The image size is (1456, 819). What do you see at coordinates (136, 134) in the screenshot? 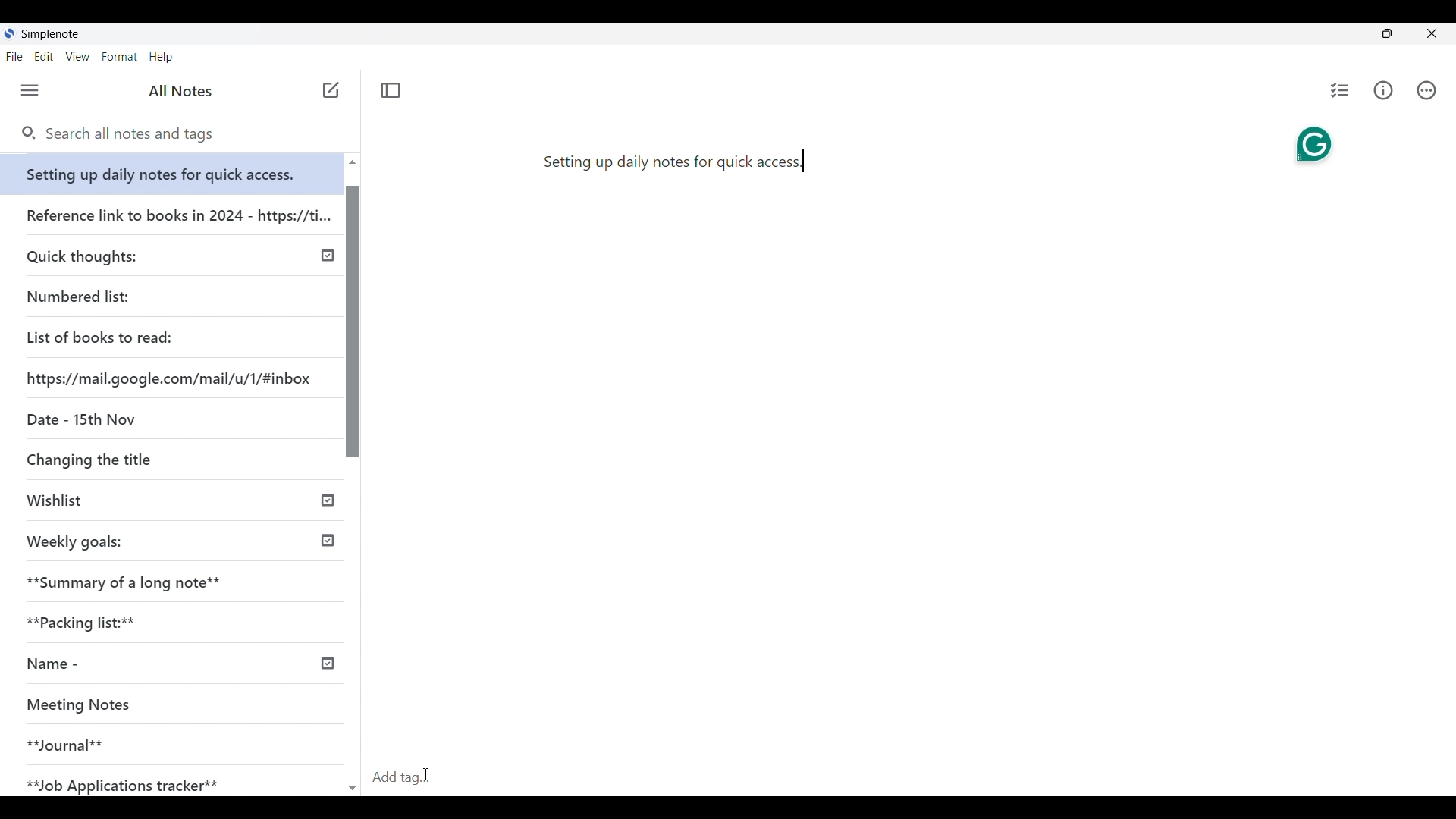
I see `Search notes and tags` at bounding box center [136, 134].